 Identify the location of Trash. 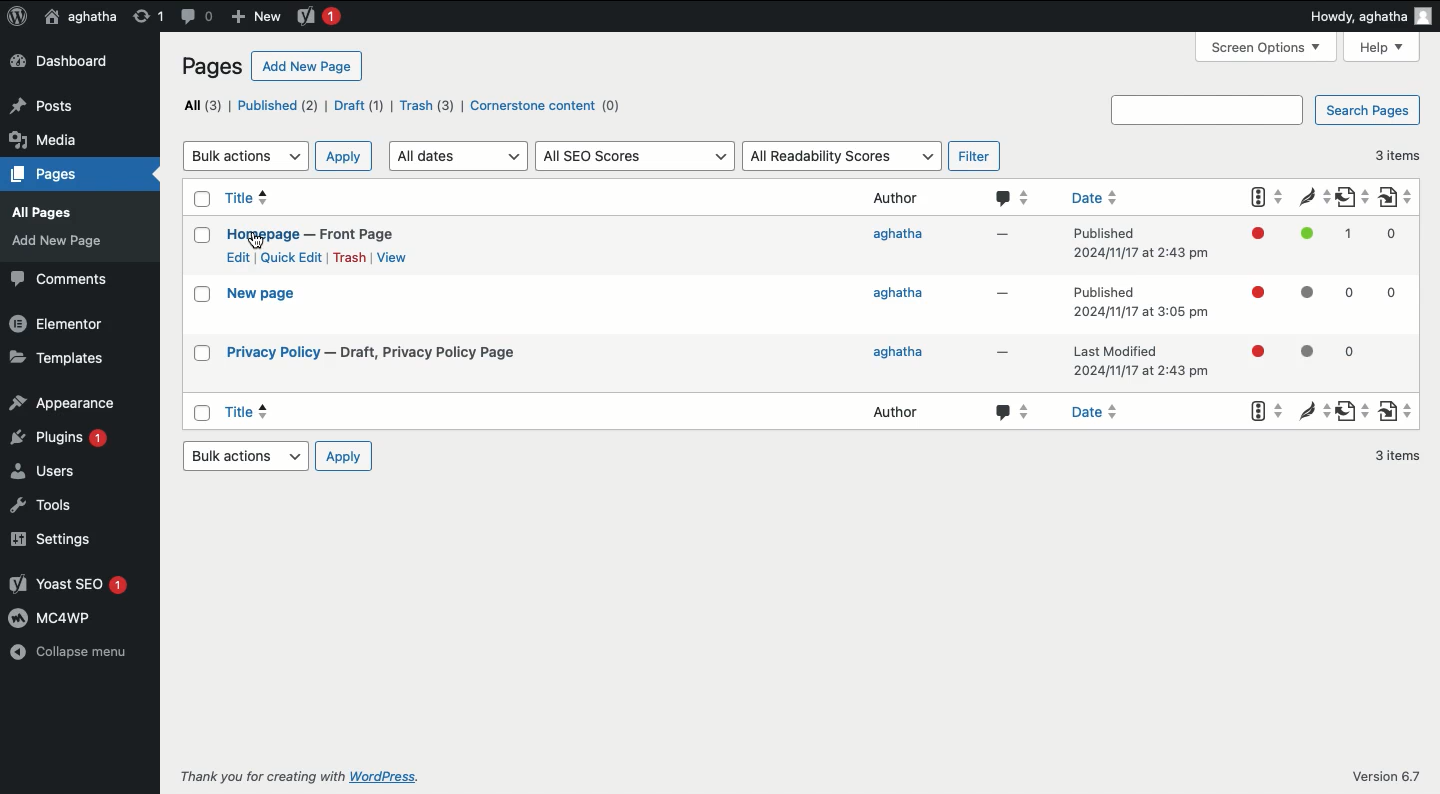
(350, 258).